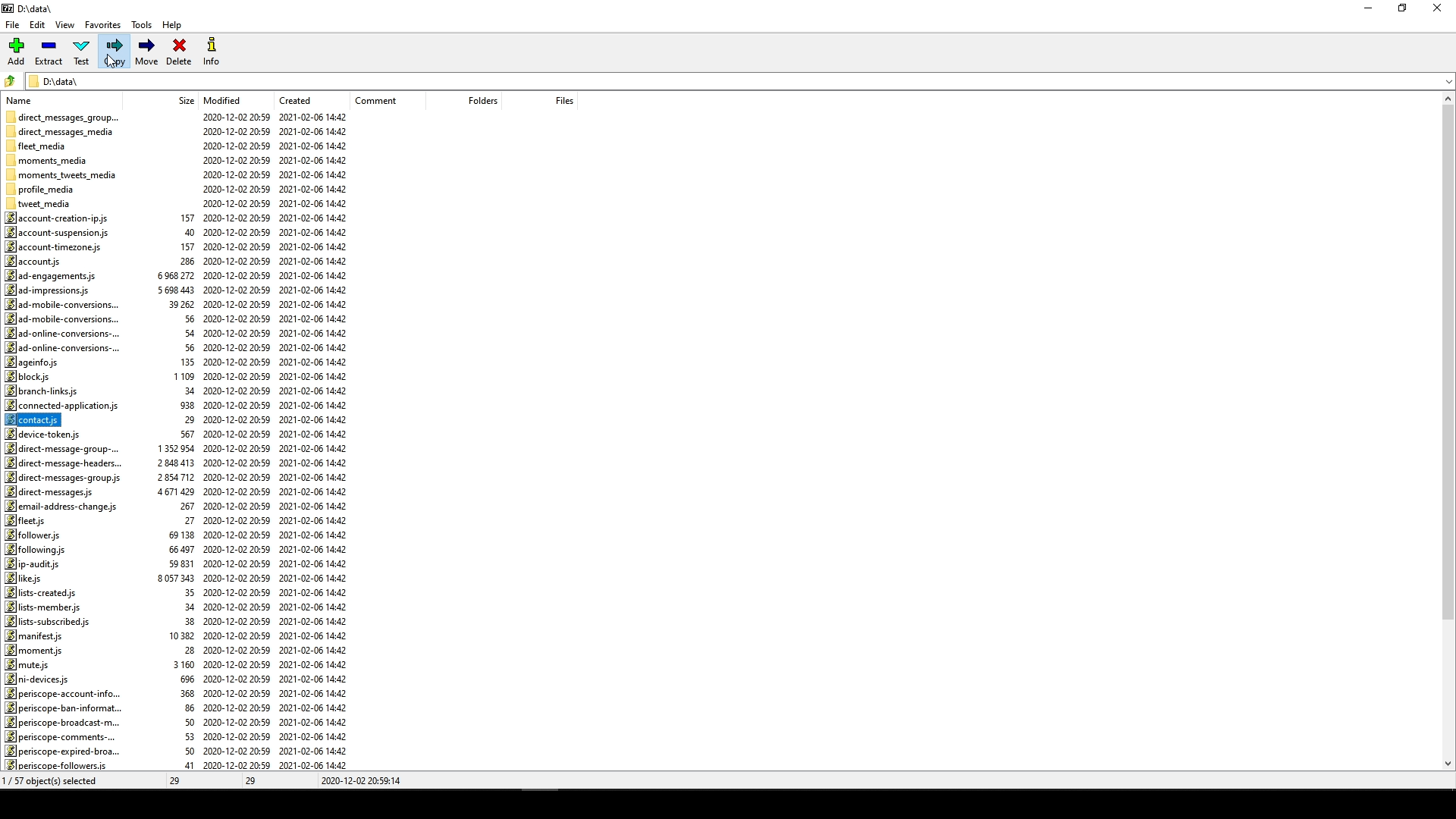  Describe the element at coordinates (1368, 13) in the screenshot. I see `minimize` at that location.